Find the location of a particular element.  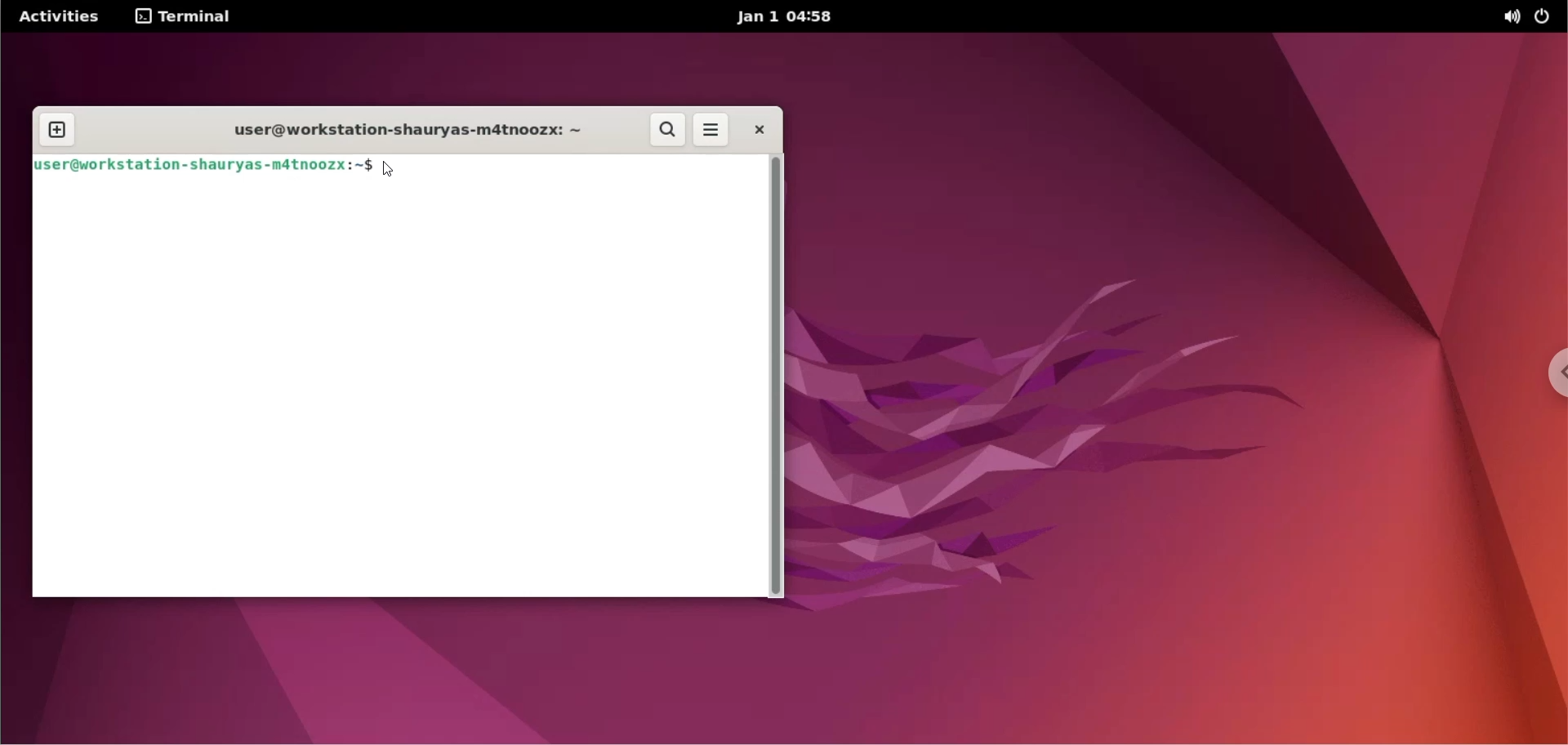

Activities is located at coordinates (62, 16).